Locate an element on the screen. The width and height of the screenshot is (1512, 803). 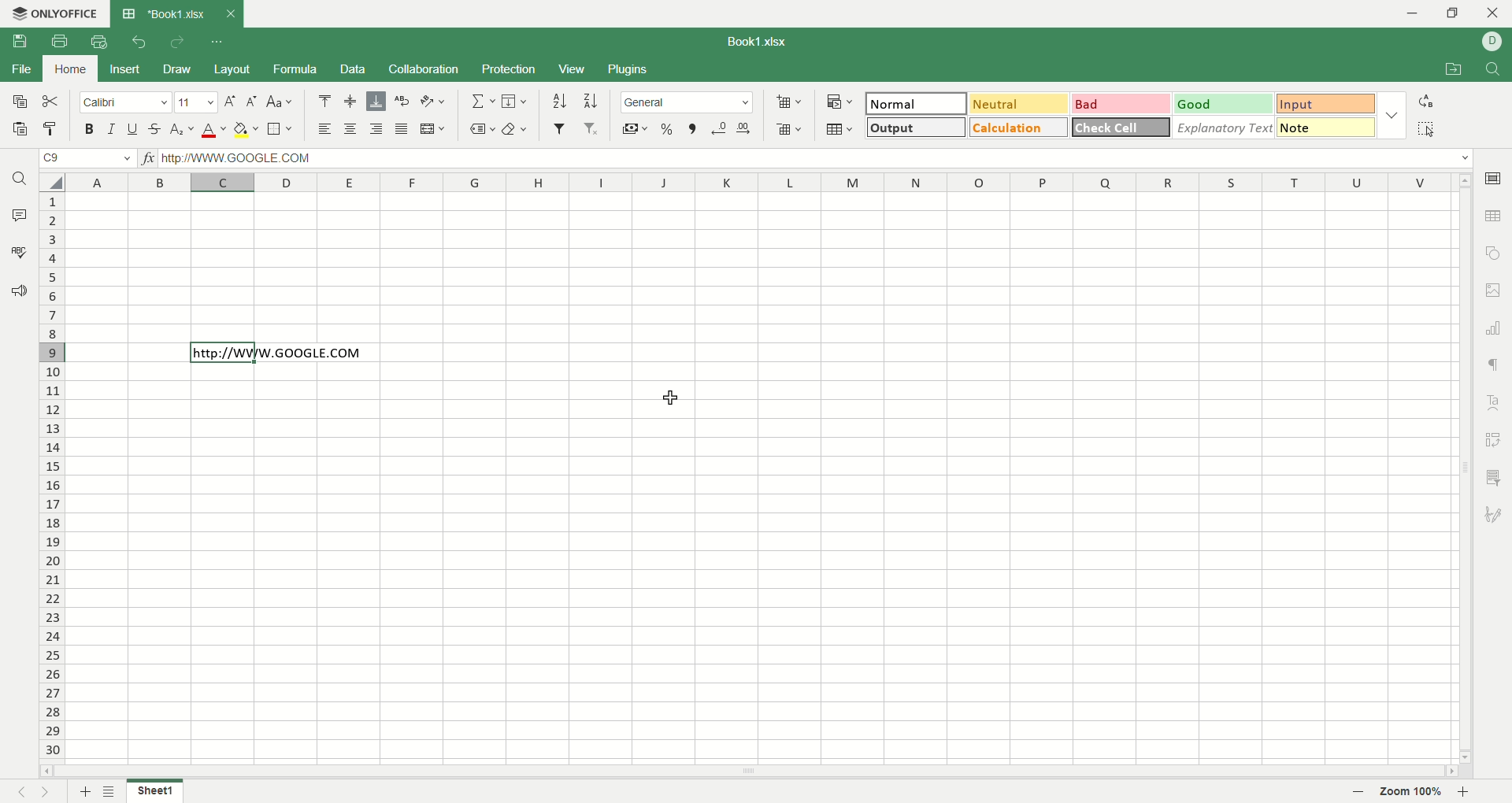
draw is located at coordinates (177, 69).